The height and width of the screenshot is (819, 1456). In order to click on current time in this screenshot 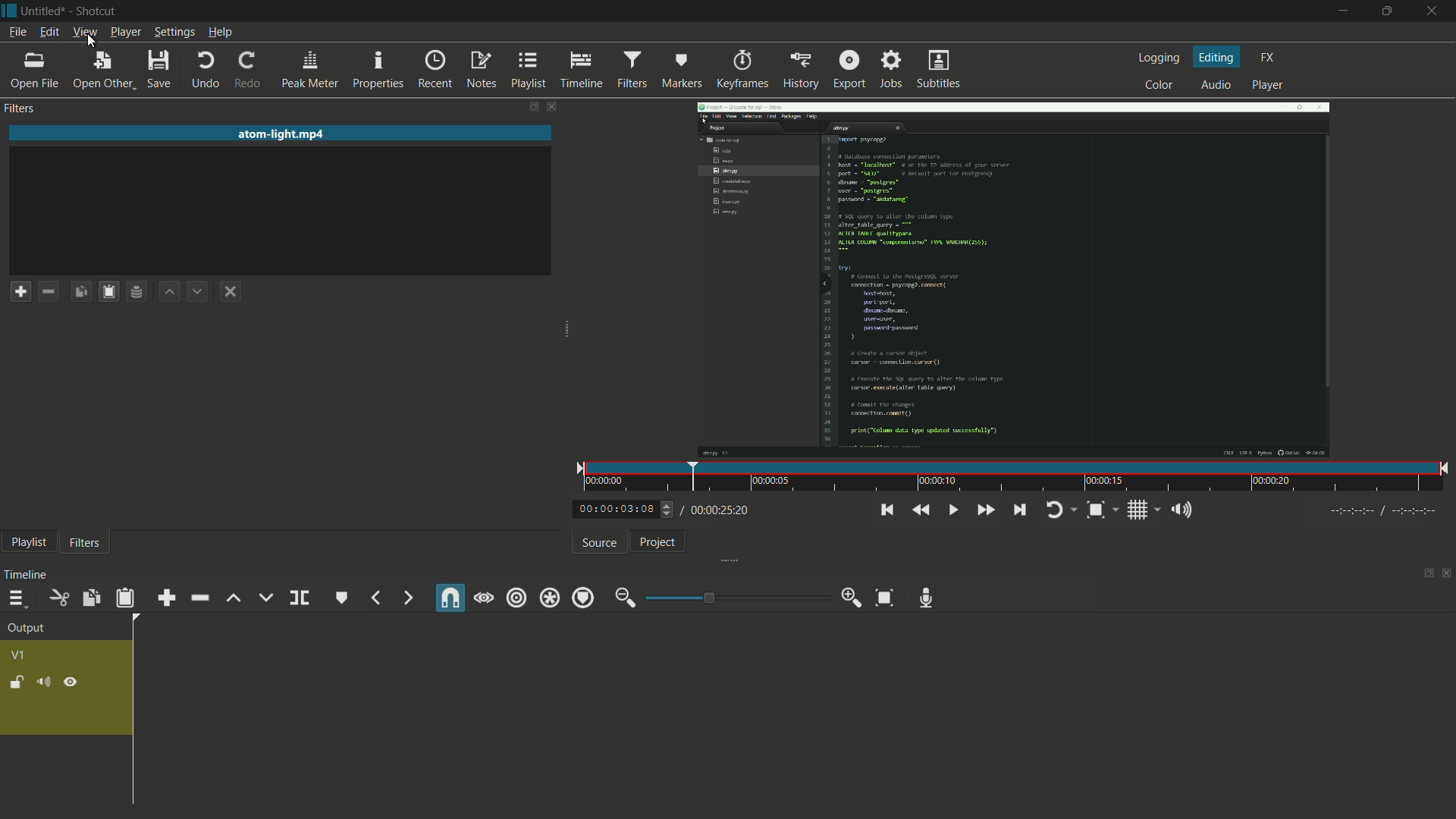, I will do `click(616, 509)`.